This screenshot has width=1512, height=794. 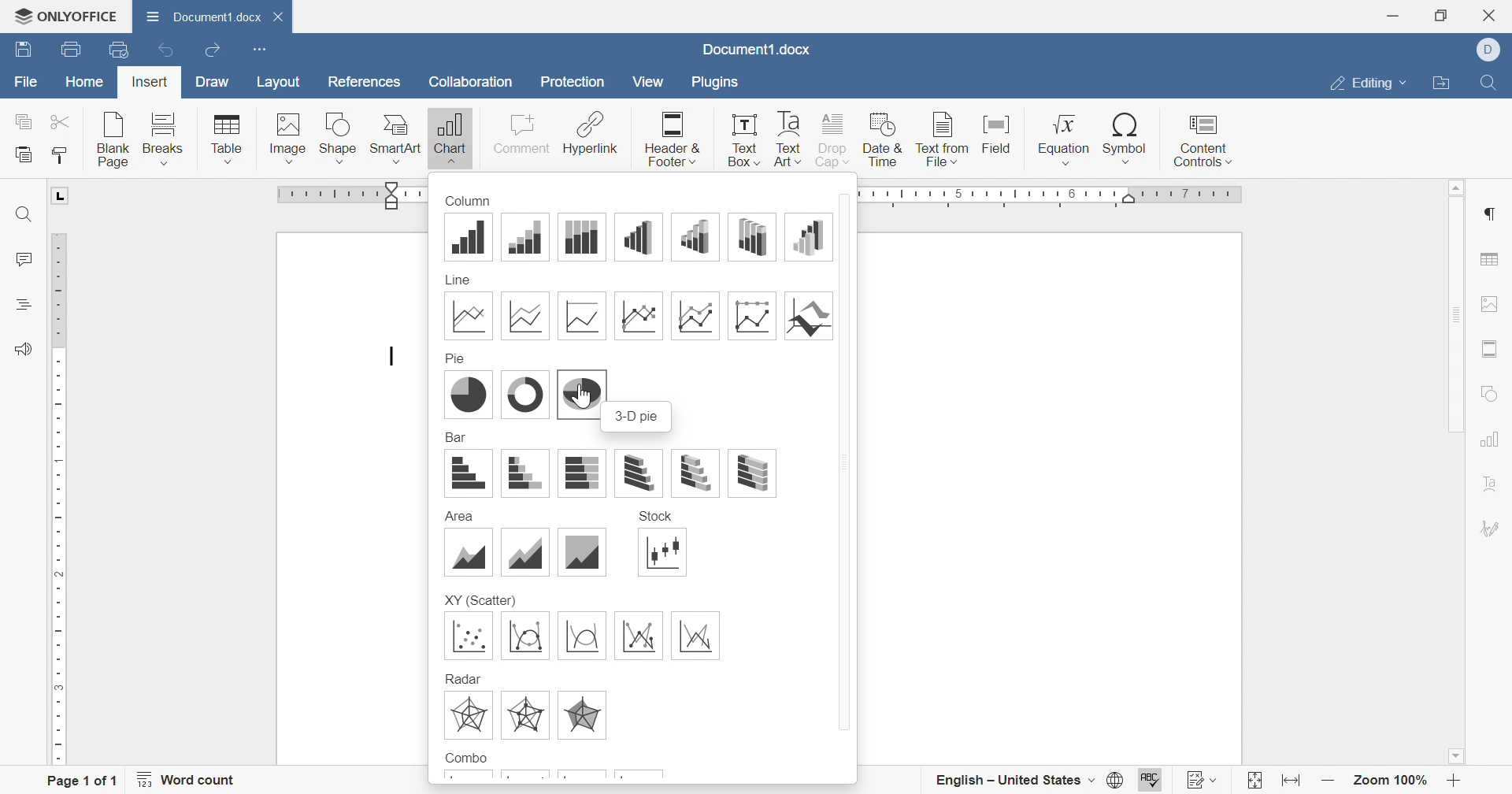 I want to click on XY (Scatter), so click(x=480, y=599).